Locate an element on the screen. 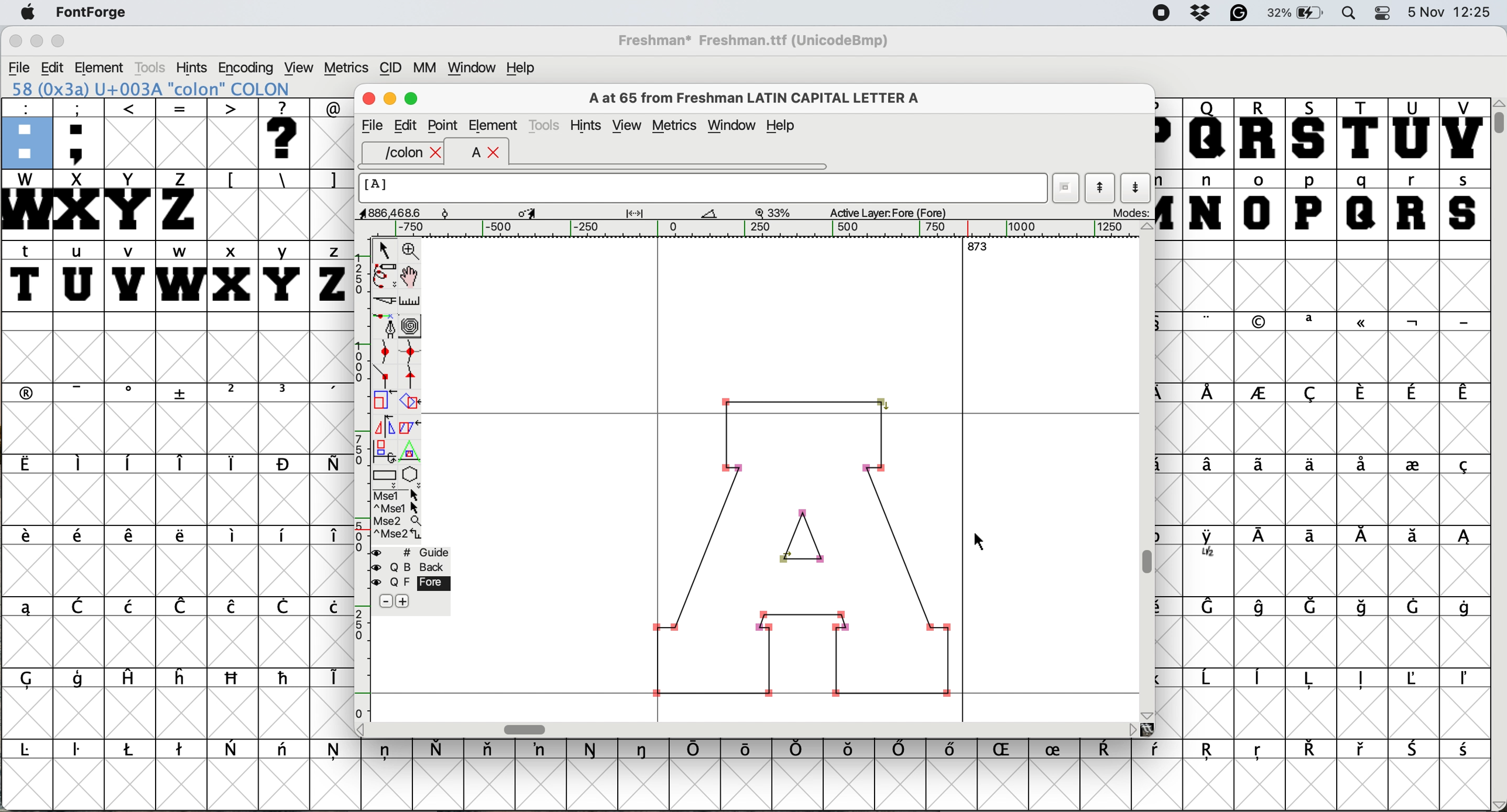 The width and height of the screenshot is (1507, 812). symbol is located at coordinates (1412, 606).